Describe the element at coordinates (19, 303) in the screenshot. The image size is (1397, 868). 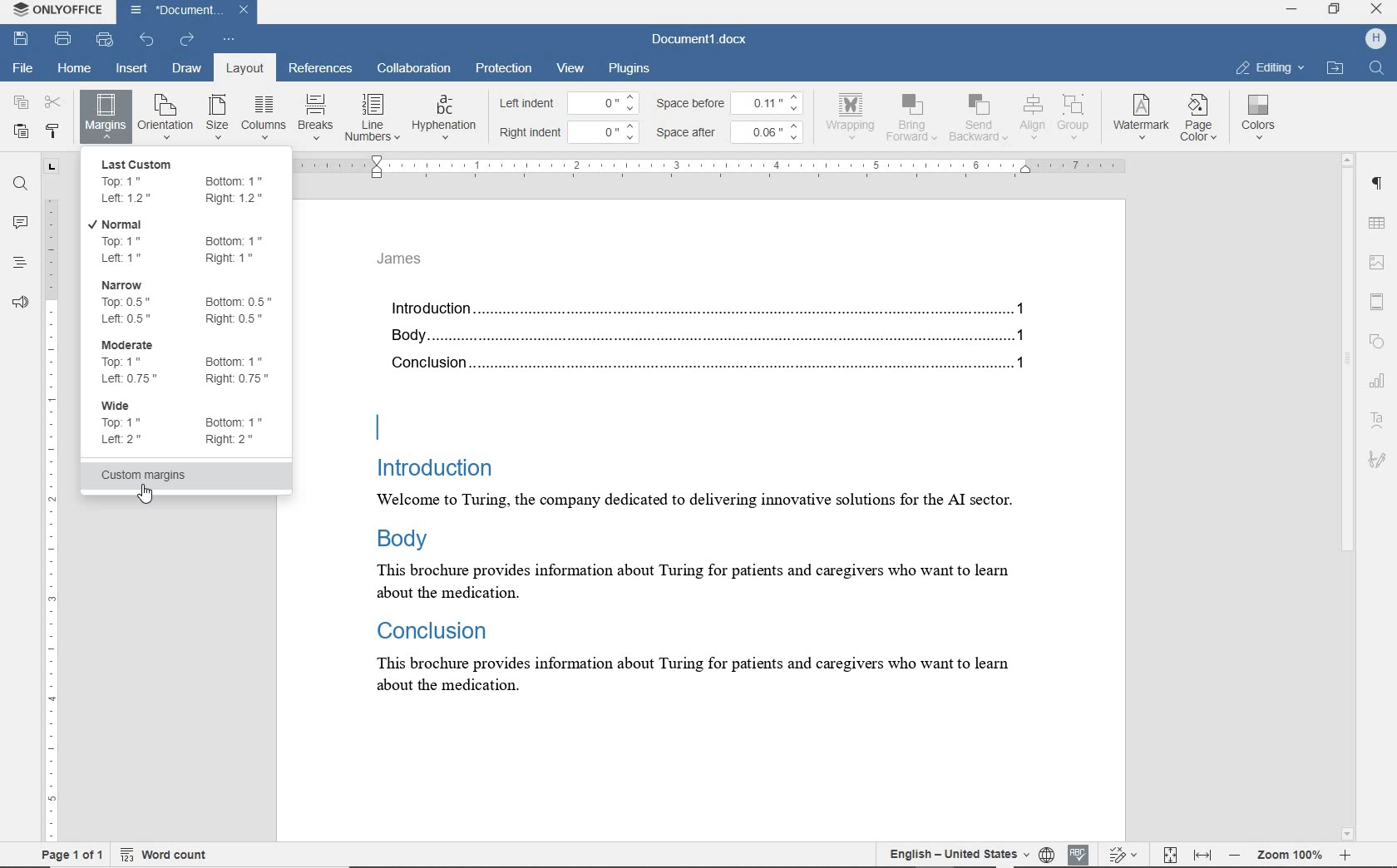
I see `feedback & support` at that location.